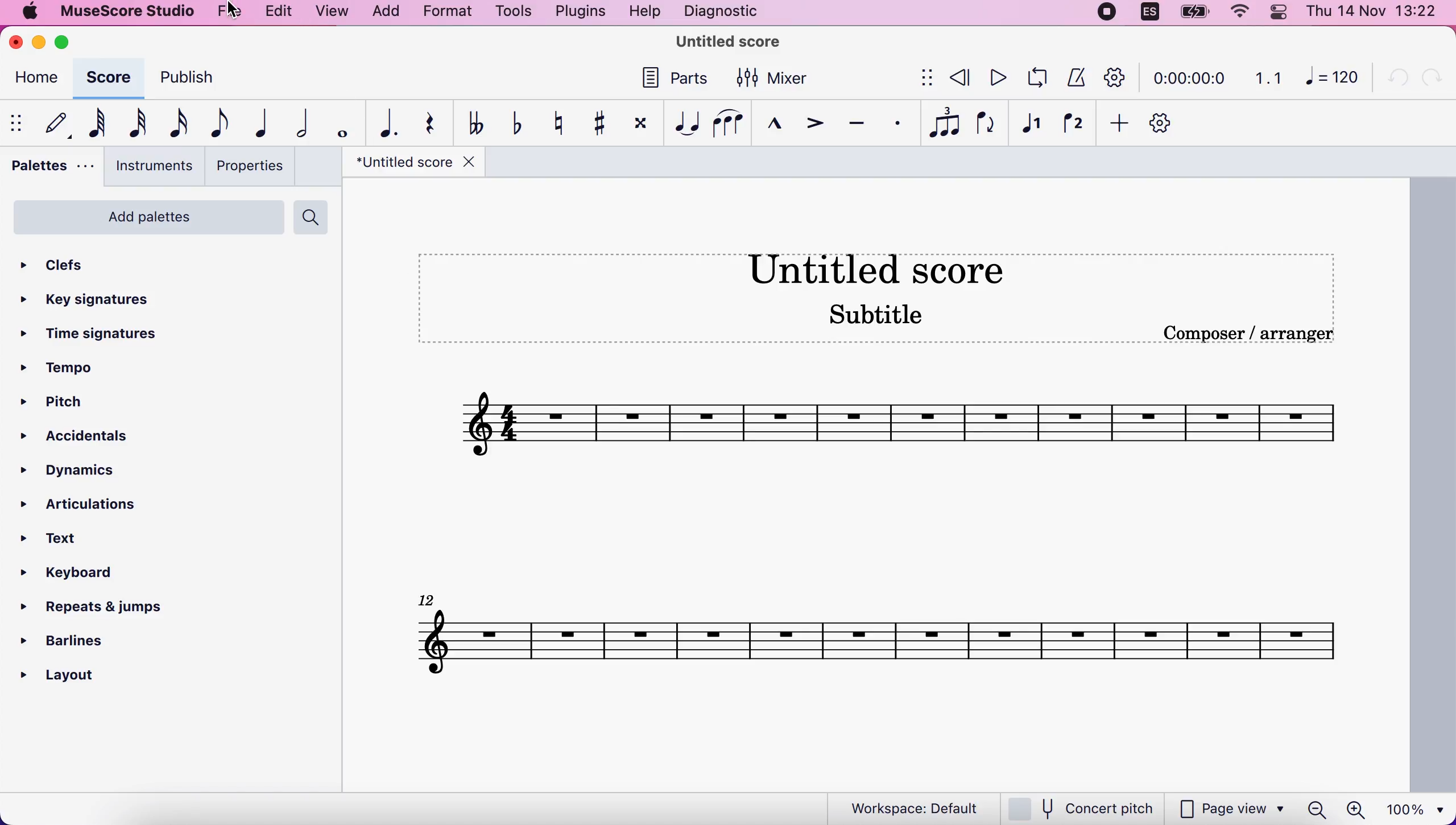  Describe the element at coordinates (883, 422) in the screenshot. I see `` at that location.